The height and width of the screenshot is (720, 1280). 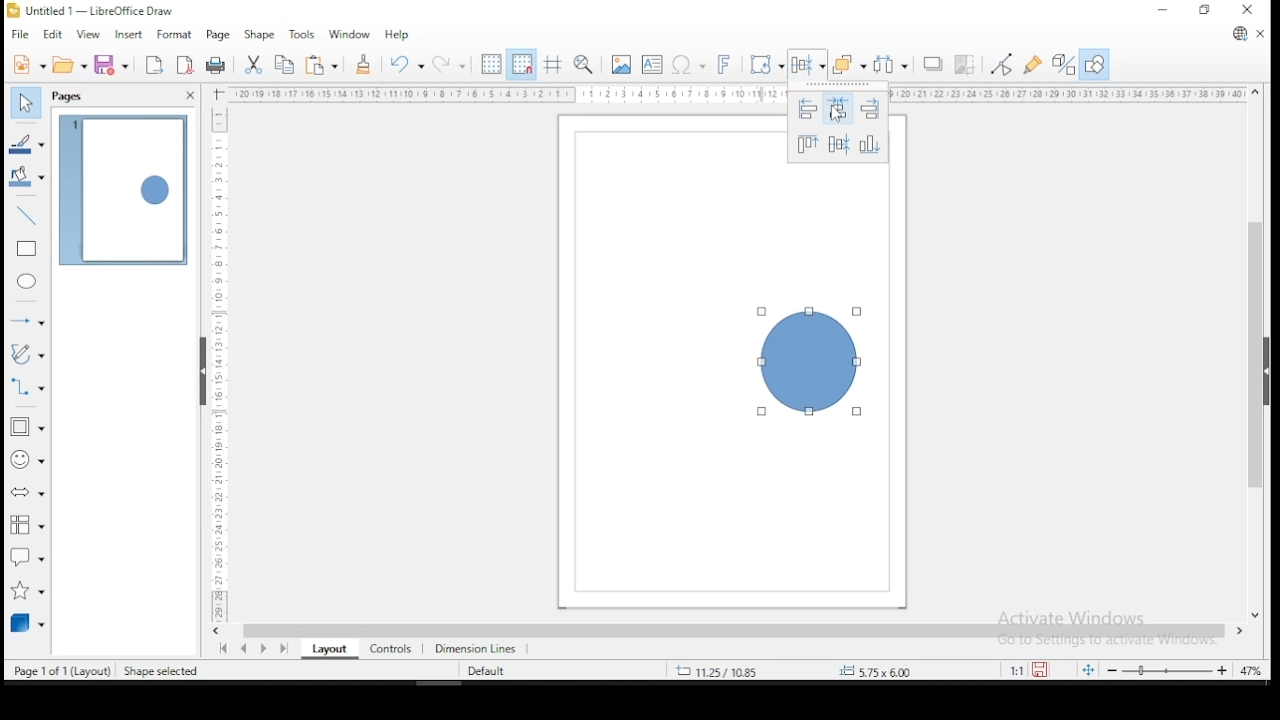 What do you see at coordinates (217, 36) in the screenshot?
I see `page` at bounding box center [217, 36].